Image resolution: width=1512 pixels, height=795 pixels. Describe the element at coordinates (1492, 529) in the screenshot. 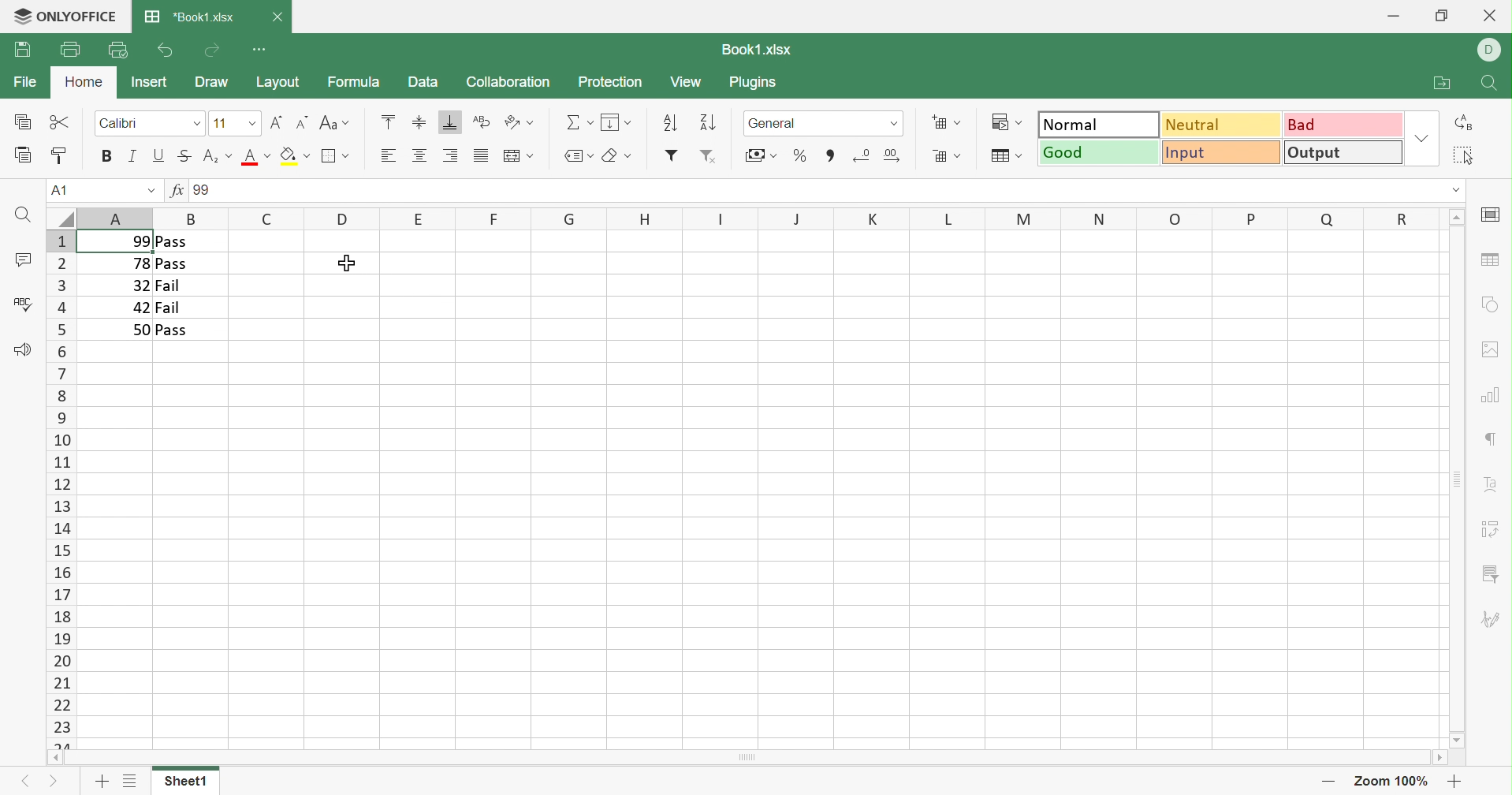

I see `Pivot table settings` at that location.